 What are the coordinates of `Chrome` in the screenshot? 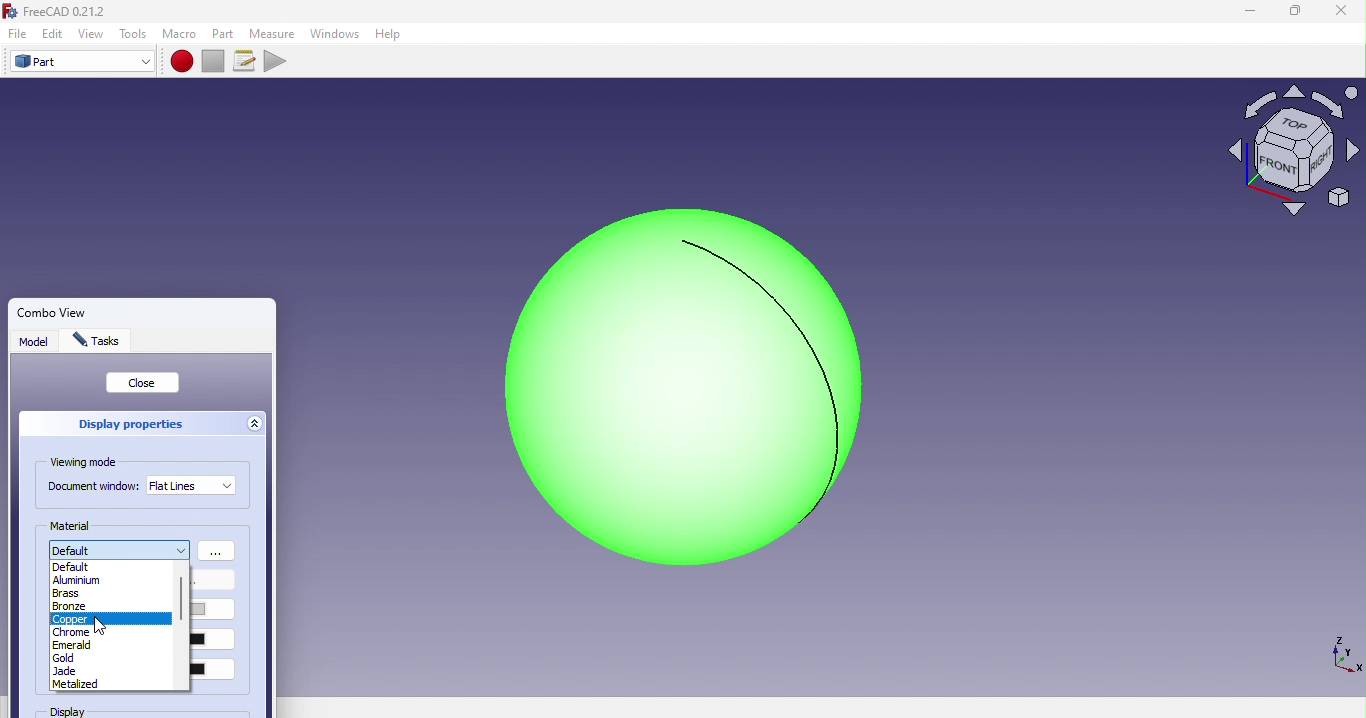 It's located at (74, 632).